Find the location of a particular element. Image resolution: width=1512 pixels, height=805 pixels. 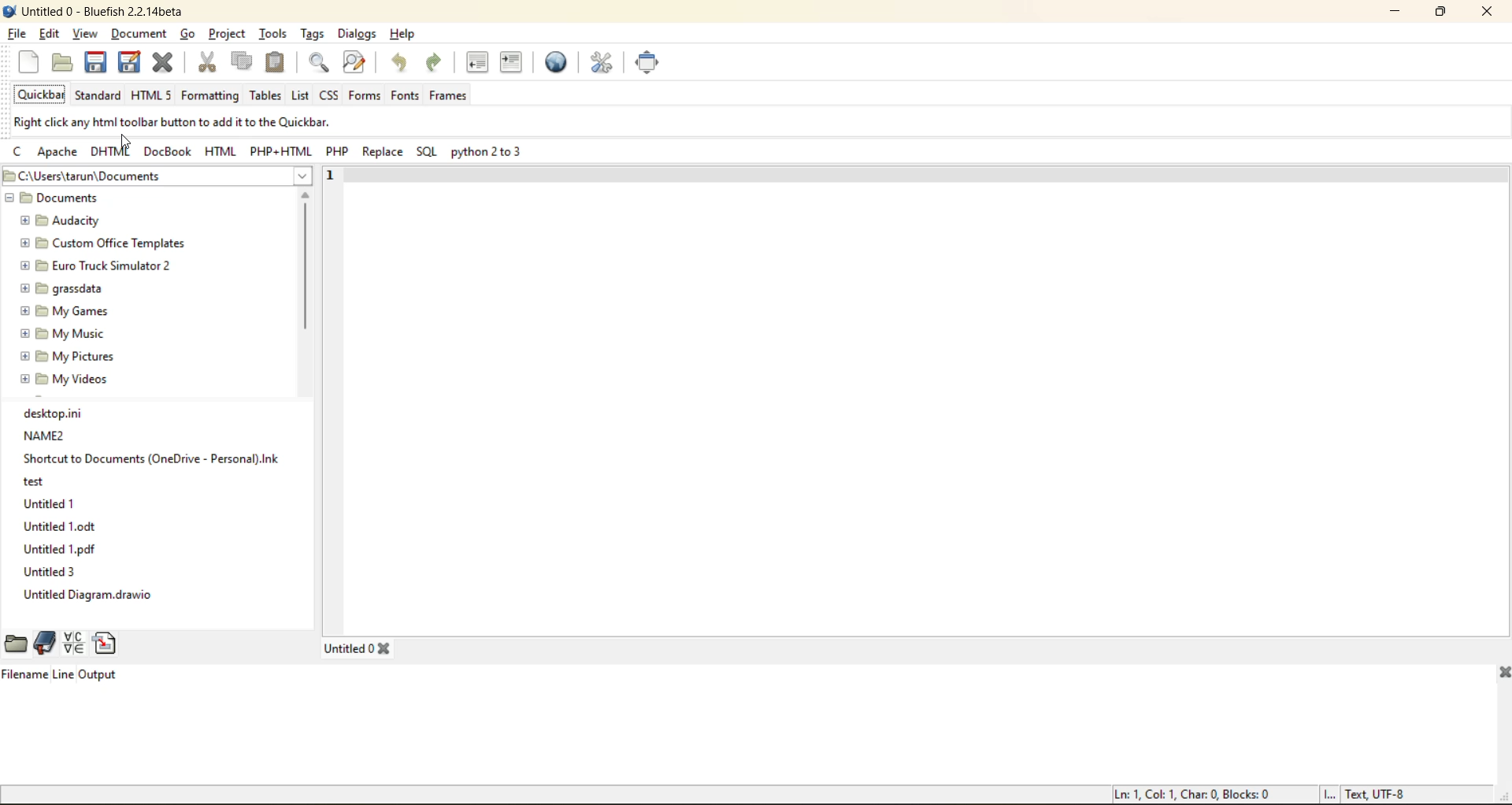

replace is located at coordinates (383, 152).